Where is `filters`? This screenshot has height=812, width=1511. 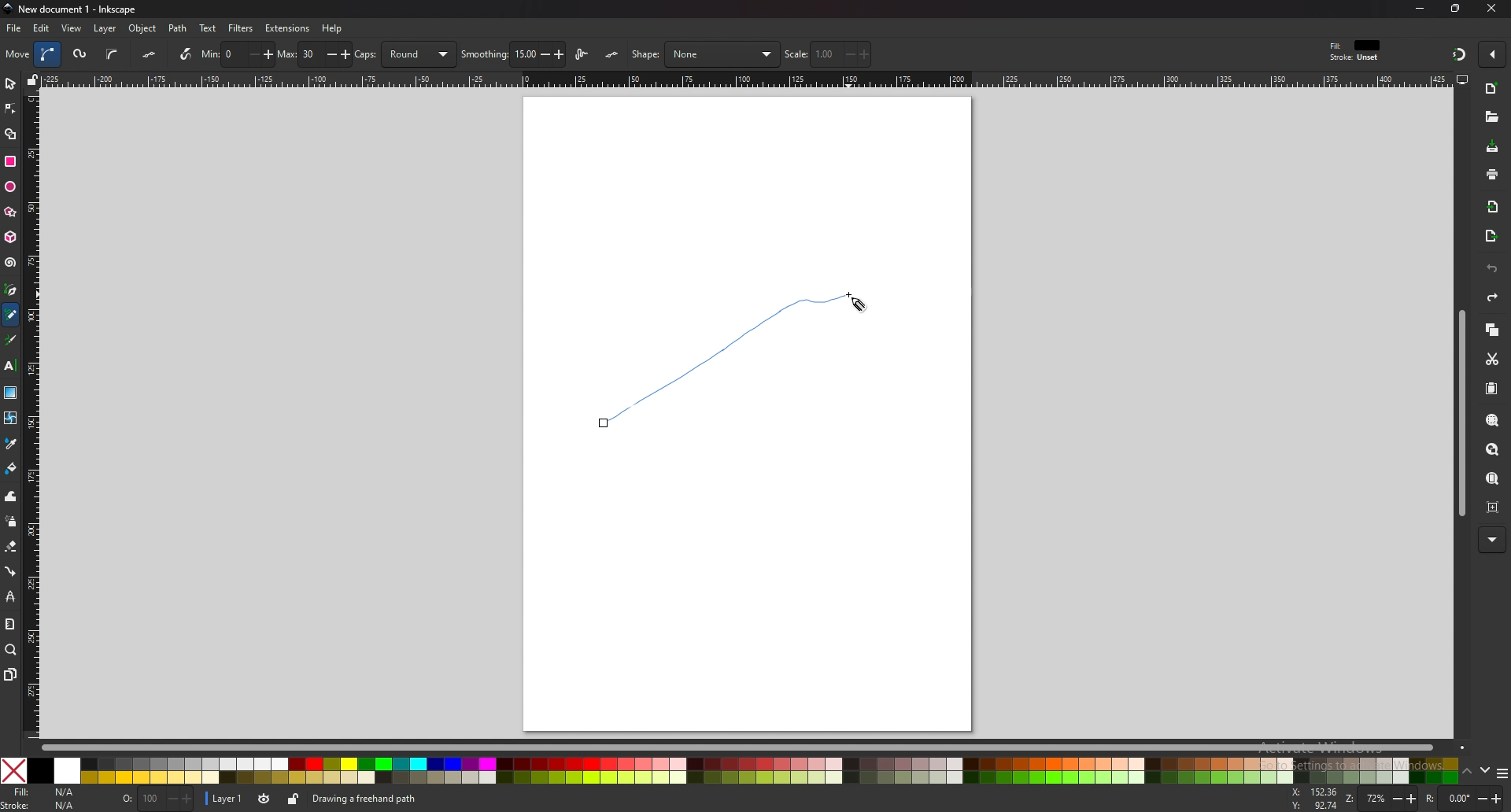 filters is located at coordinates (240, 29).